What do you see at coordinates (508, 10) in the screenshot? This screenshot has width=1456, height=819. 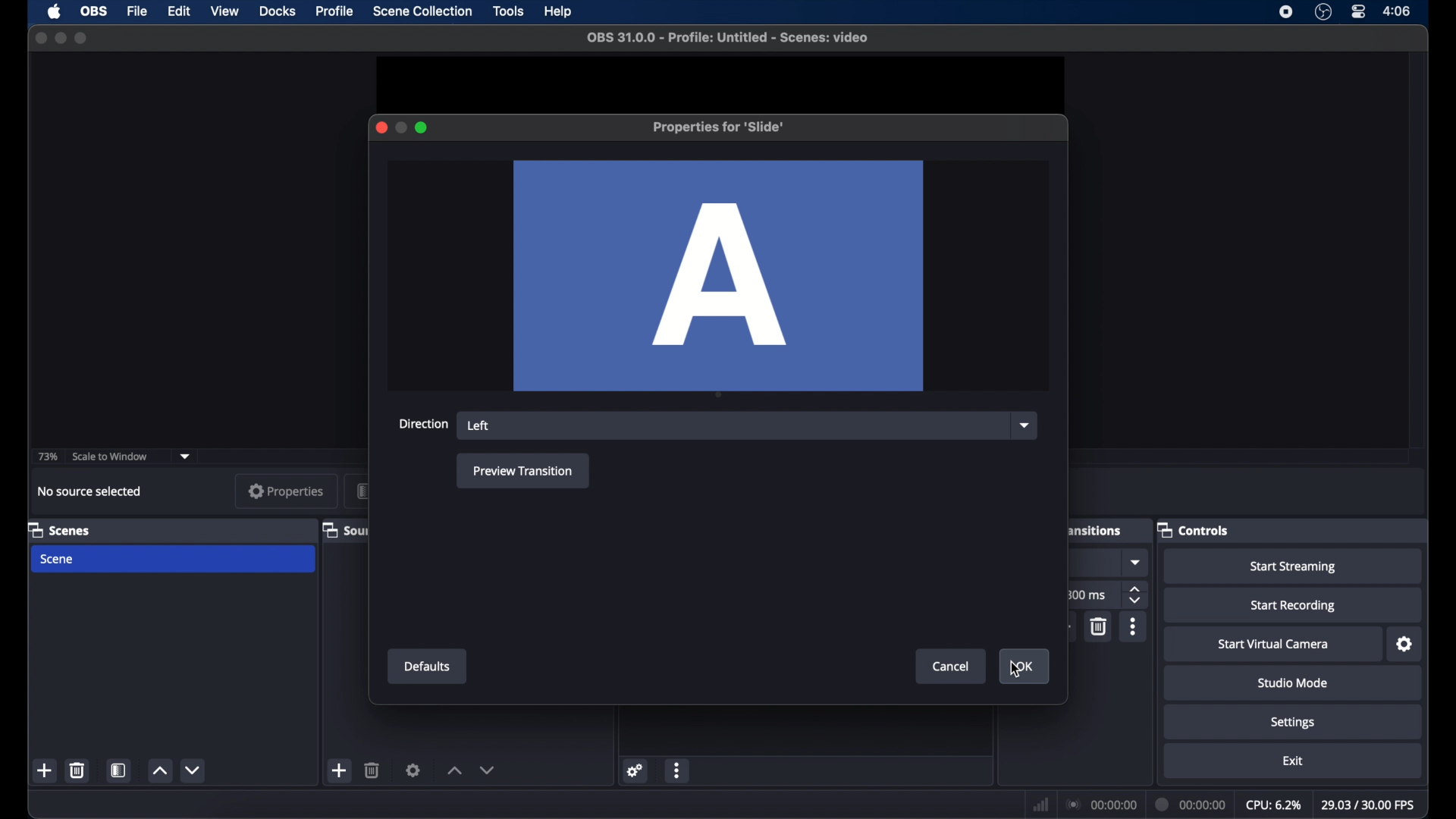 I see `tools` at bounding box center [508, 10].